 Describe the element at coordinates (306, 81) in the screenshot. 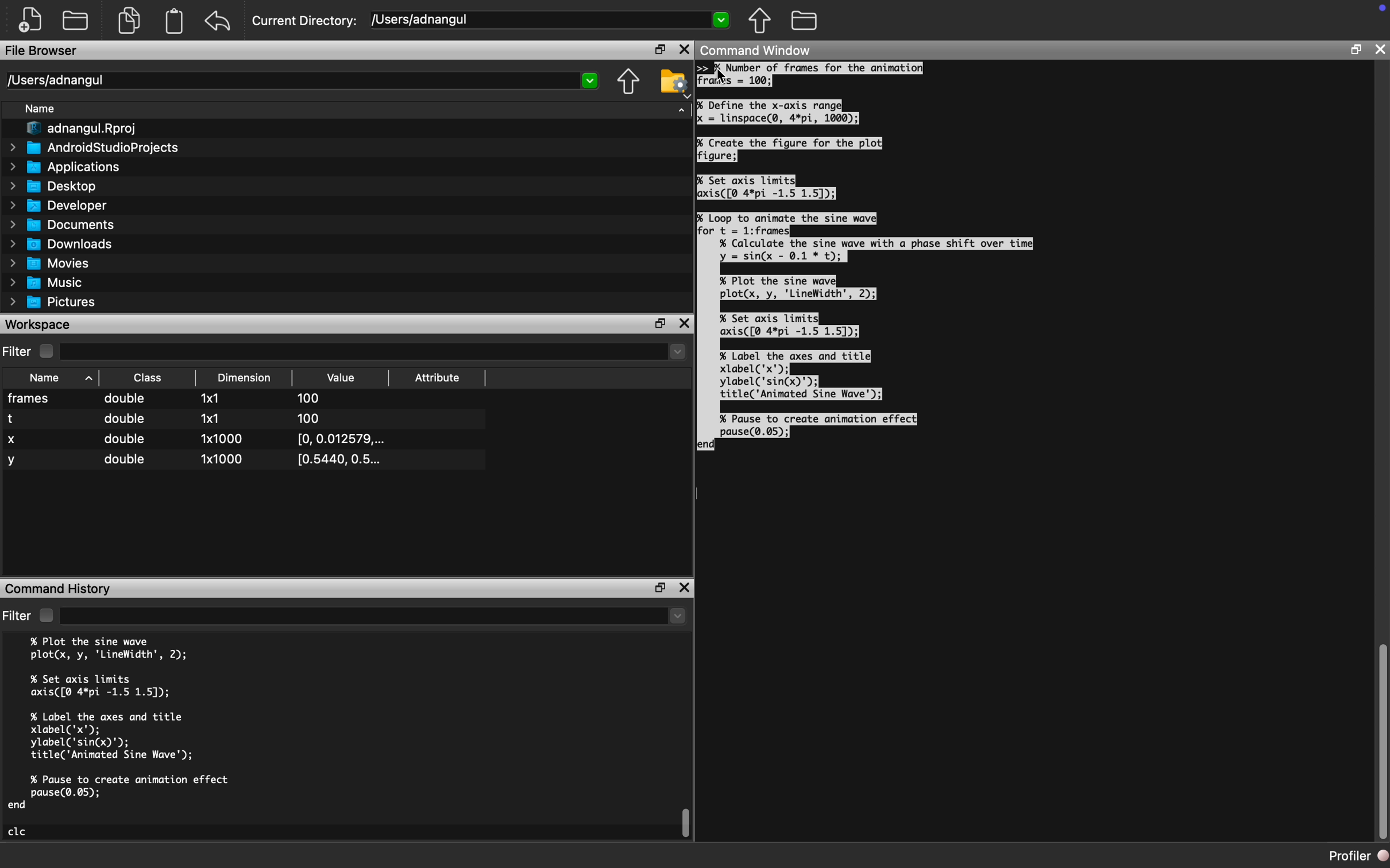

I see `/Users/adnangul 2` at that location.